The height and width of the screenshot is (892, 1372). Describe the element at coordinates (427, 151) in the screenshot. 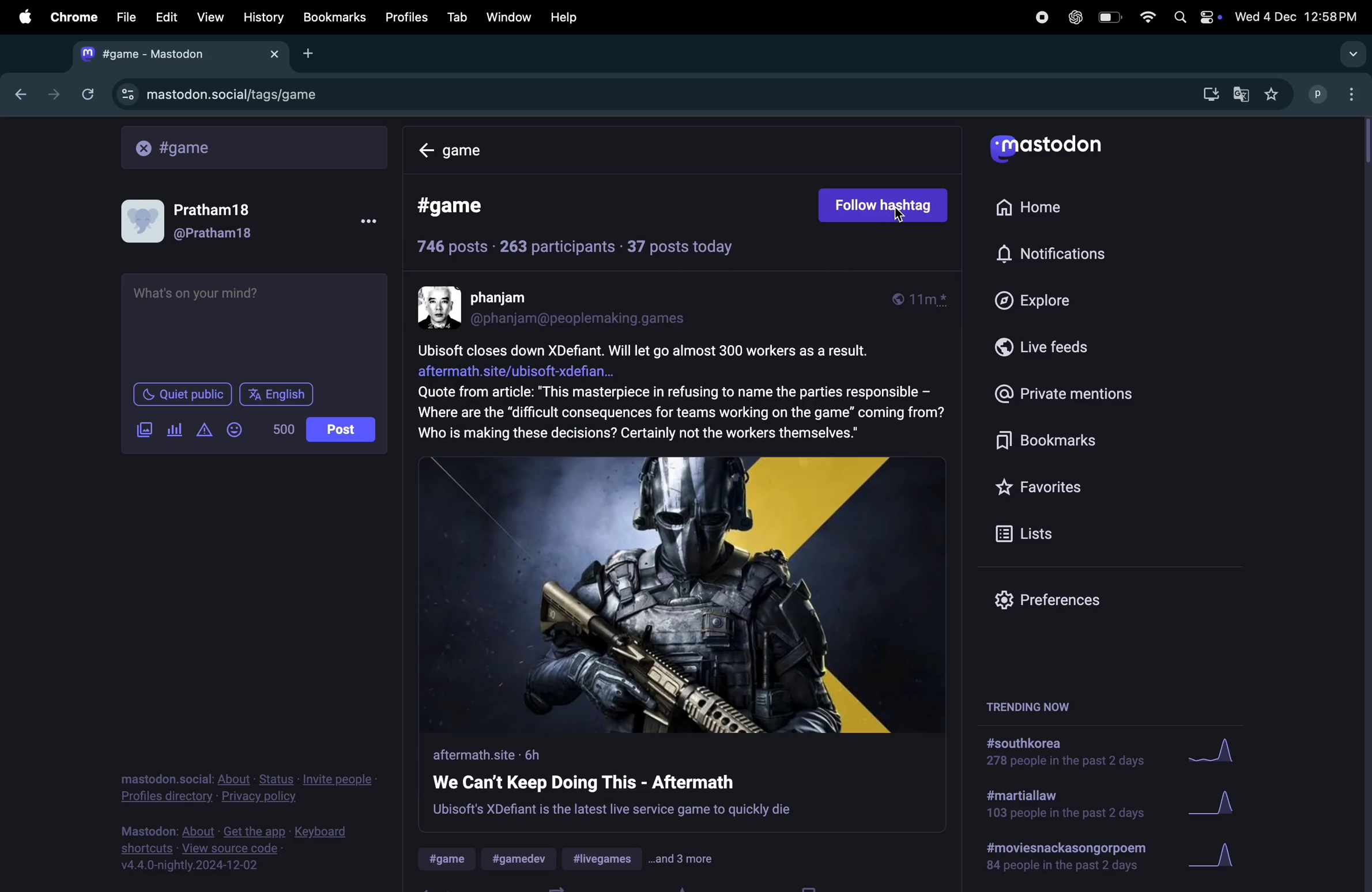

I see `back` at that location.